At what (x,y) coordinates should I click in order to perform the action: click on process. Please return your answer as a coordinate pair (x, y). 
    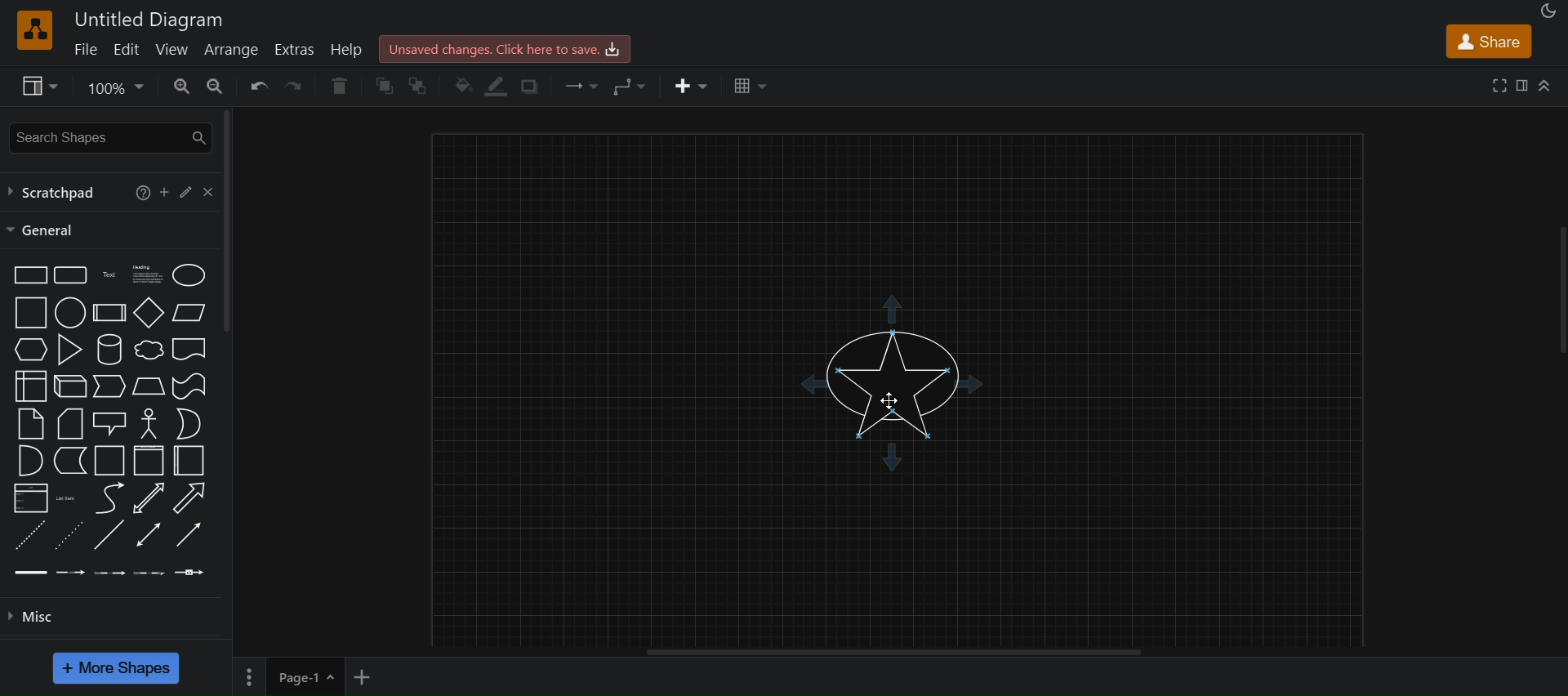
    Looking at the image, I should click on (109, 313).